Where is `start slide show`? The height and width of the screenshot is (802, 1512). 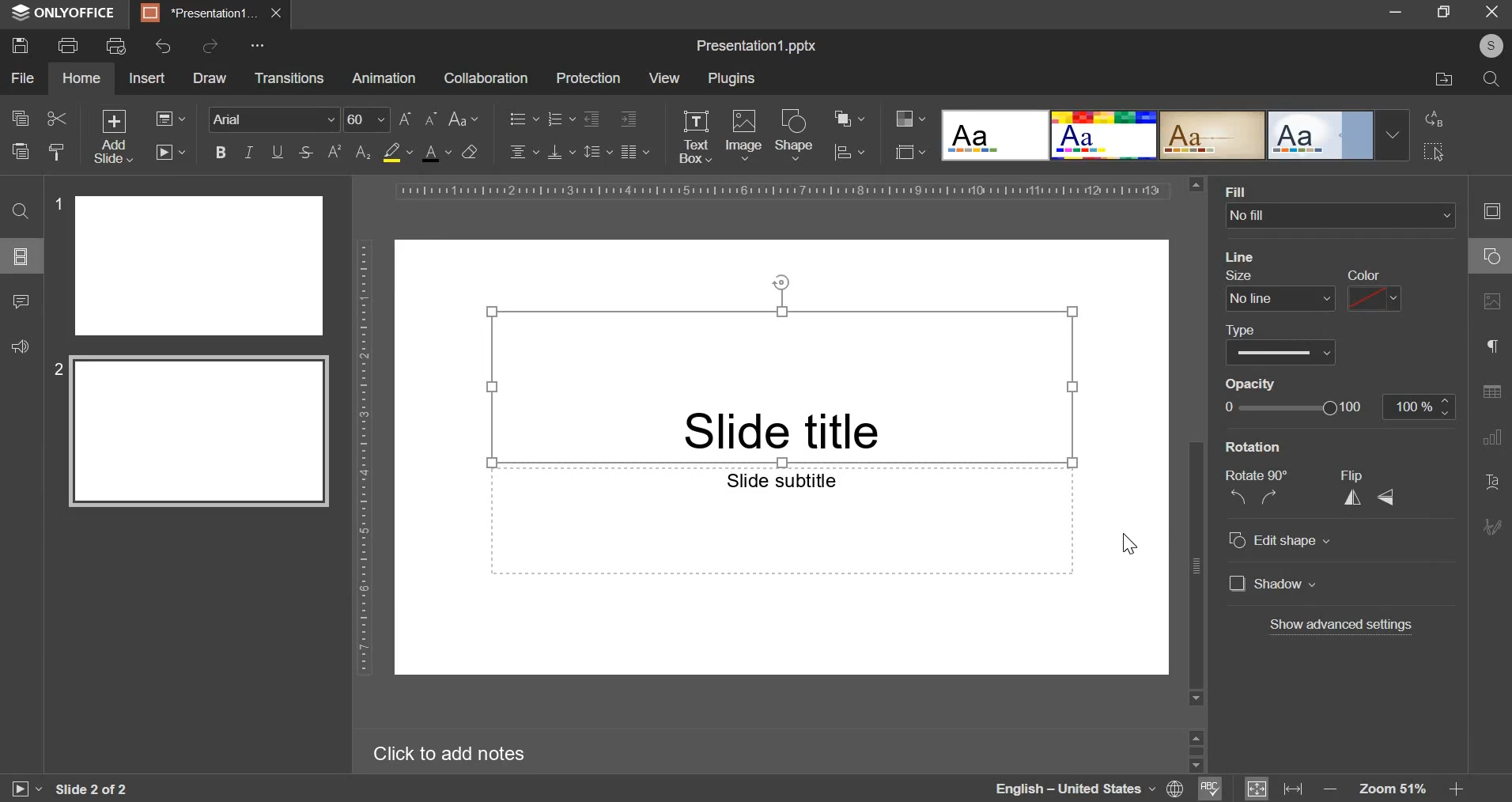 start slide show is located at coordinates (19, 791).